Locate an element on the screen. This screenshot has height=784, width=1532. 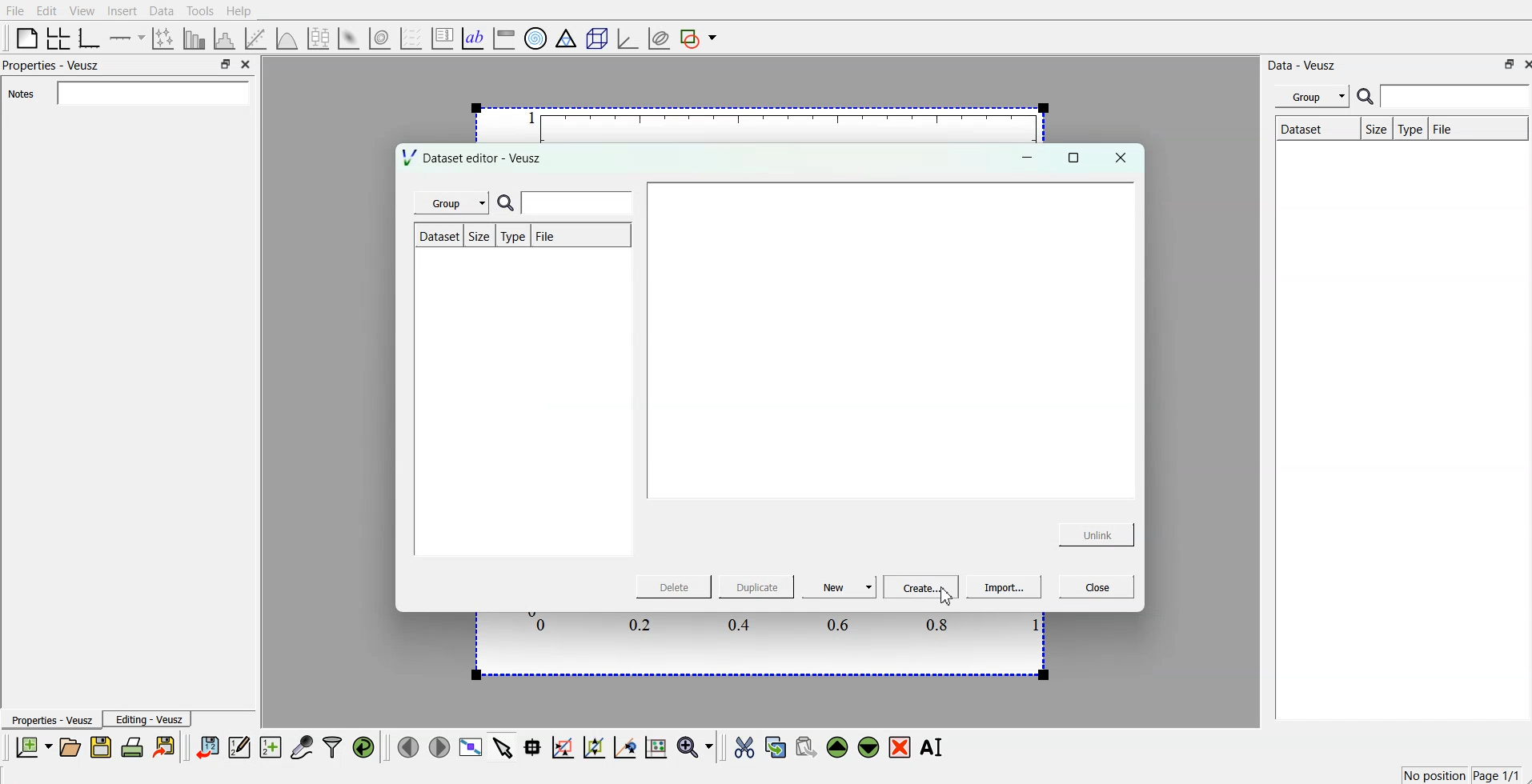
read the data points is located at coordinates (535, 749).